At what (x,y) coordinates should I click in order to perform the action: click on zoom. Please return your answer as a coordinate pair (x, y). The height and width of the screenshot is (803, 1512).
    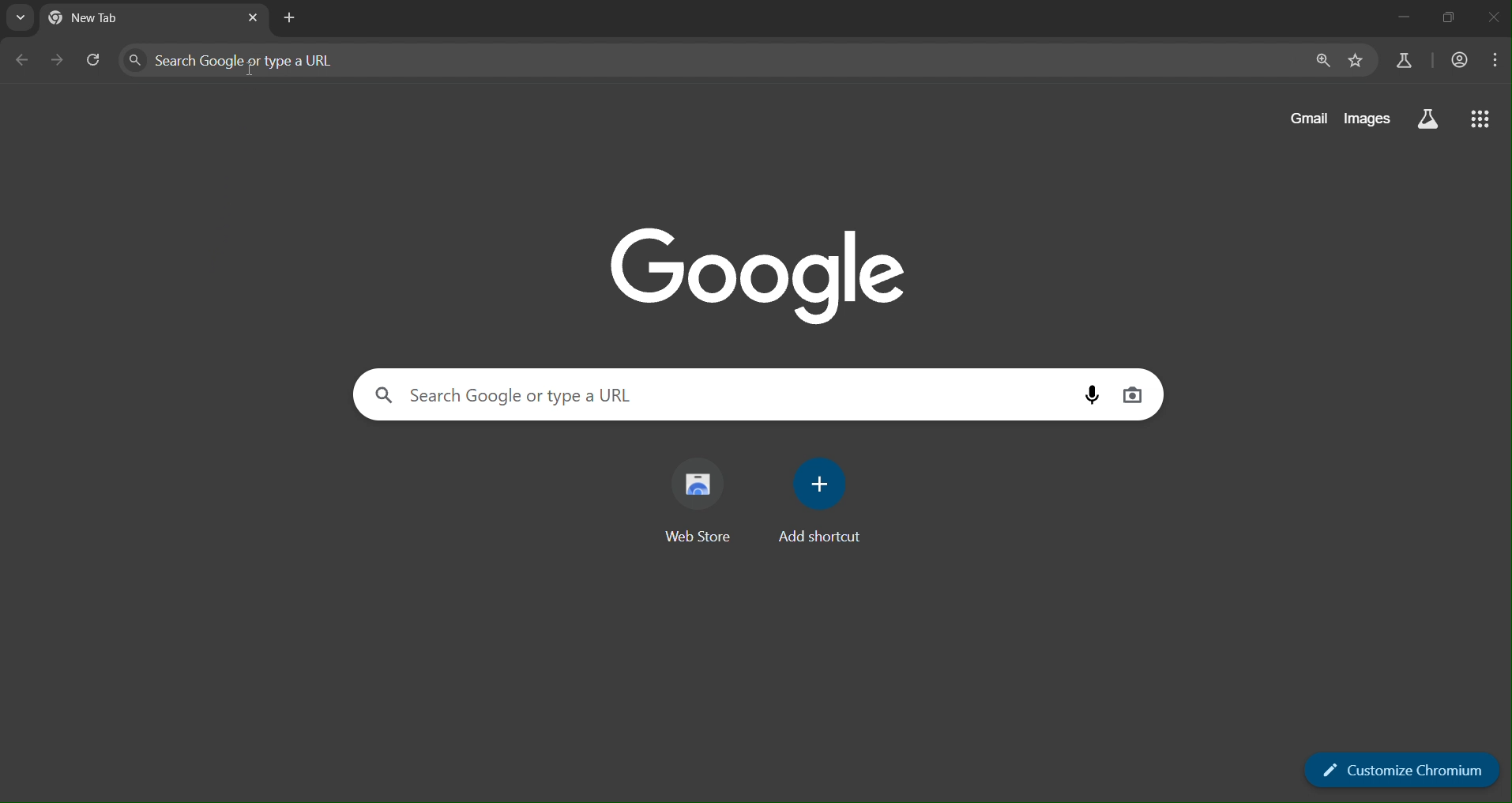
    Looking at the image, I should click on (1322, 61).